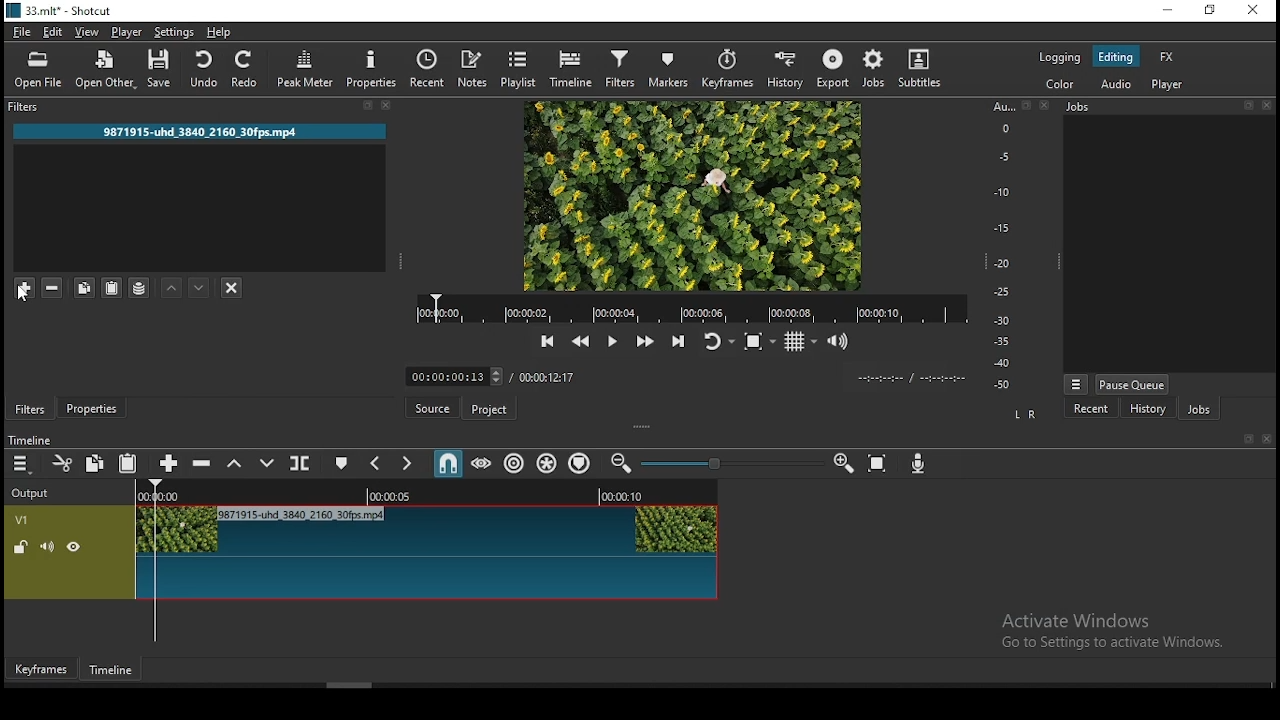 This screenshot has height=720, width=1280. Describe the element at coordinates (30, 410) in the screenshot. I see `filters` at that location.